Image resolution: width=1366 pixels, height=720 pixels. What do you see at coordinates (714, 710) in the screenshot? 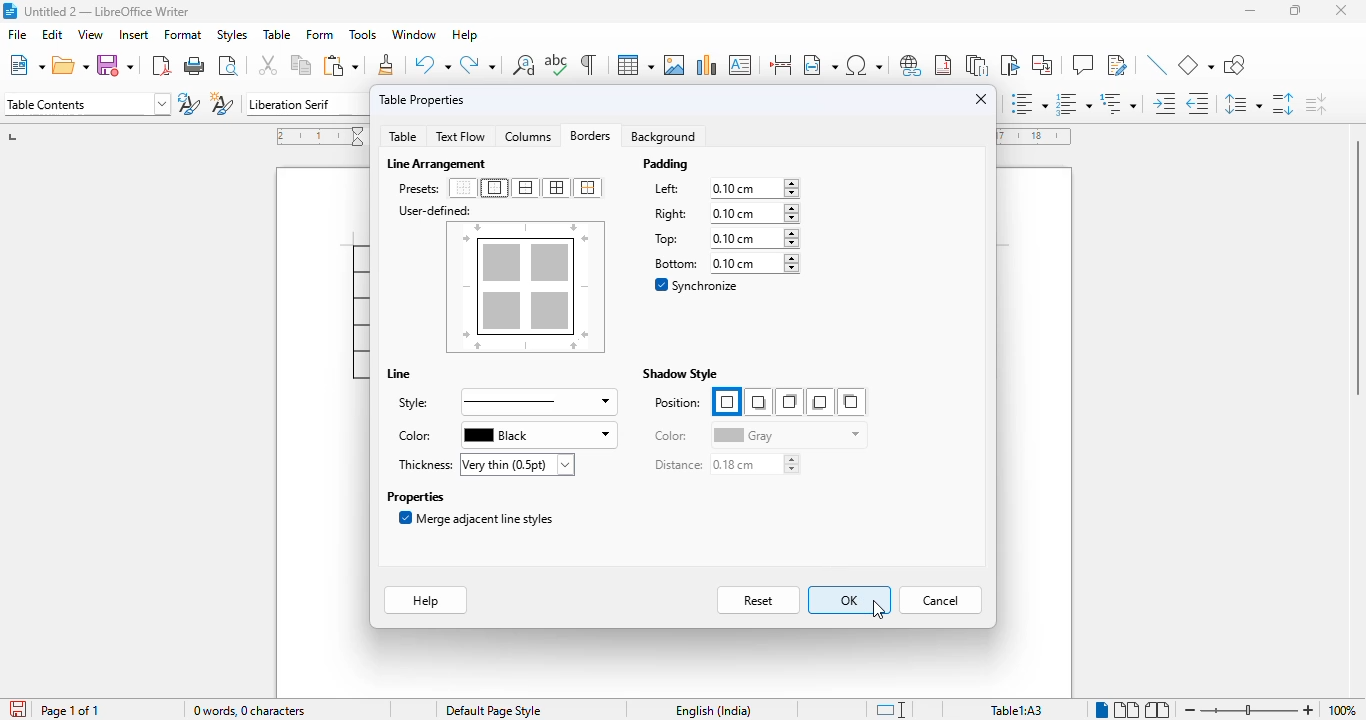
I see `English (India)` at bounding box center [714, 710].